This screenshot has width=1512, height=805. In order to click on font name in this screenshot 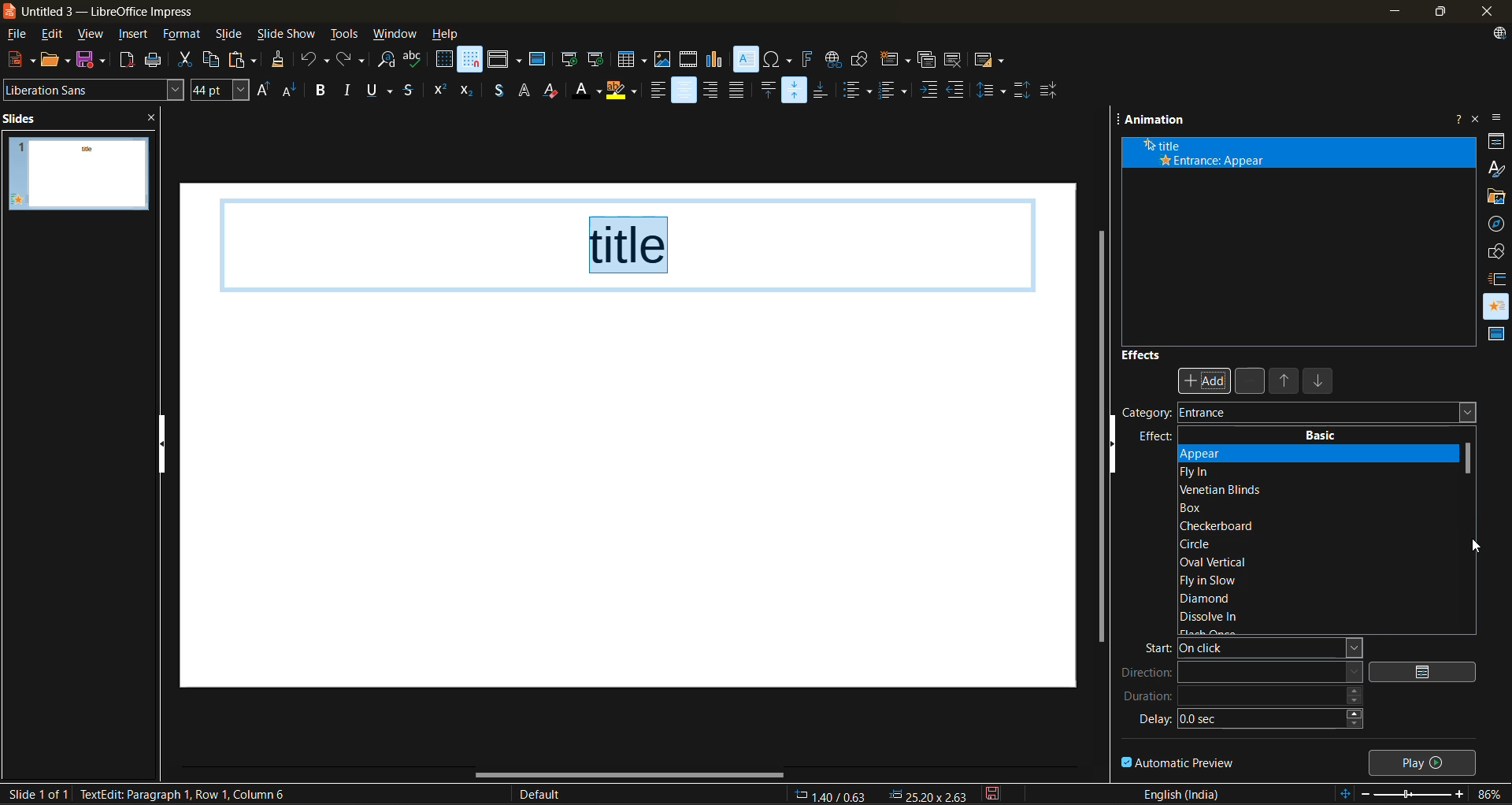, I will do `click(94, 88)`.